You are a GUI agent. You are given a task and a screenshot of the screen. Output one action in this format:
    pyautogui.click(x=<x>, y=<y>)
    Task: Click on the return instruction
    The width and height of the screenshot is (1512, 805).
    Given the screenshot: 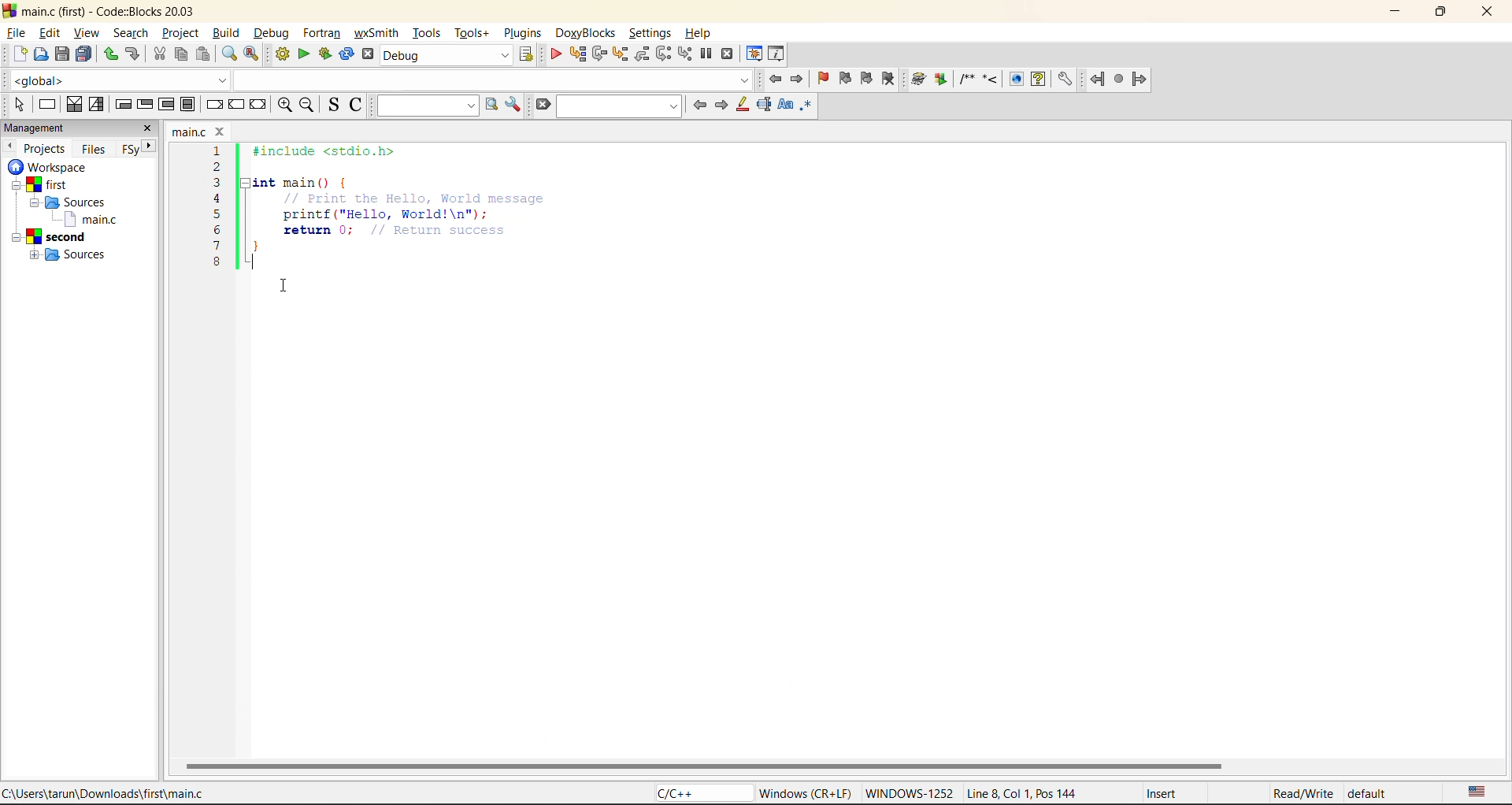 What is the action you would take?
    pyautogui.click(x=259, y=104)
    